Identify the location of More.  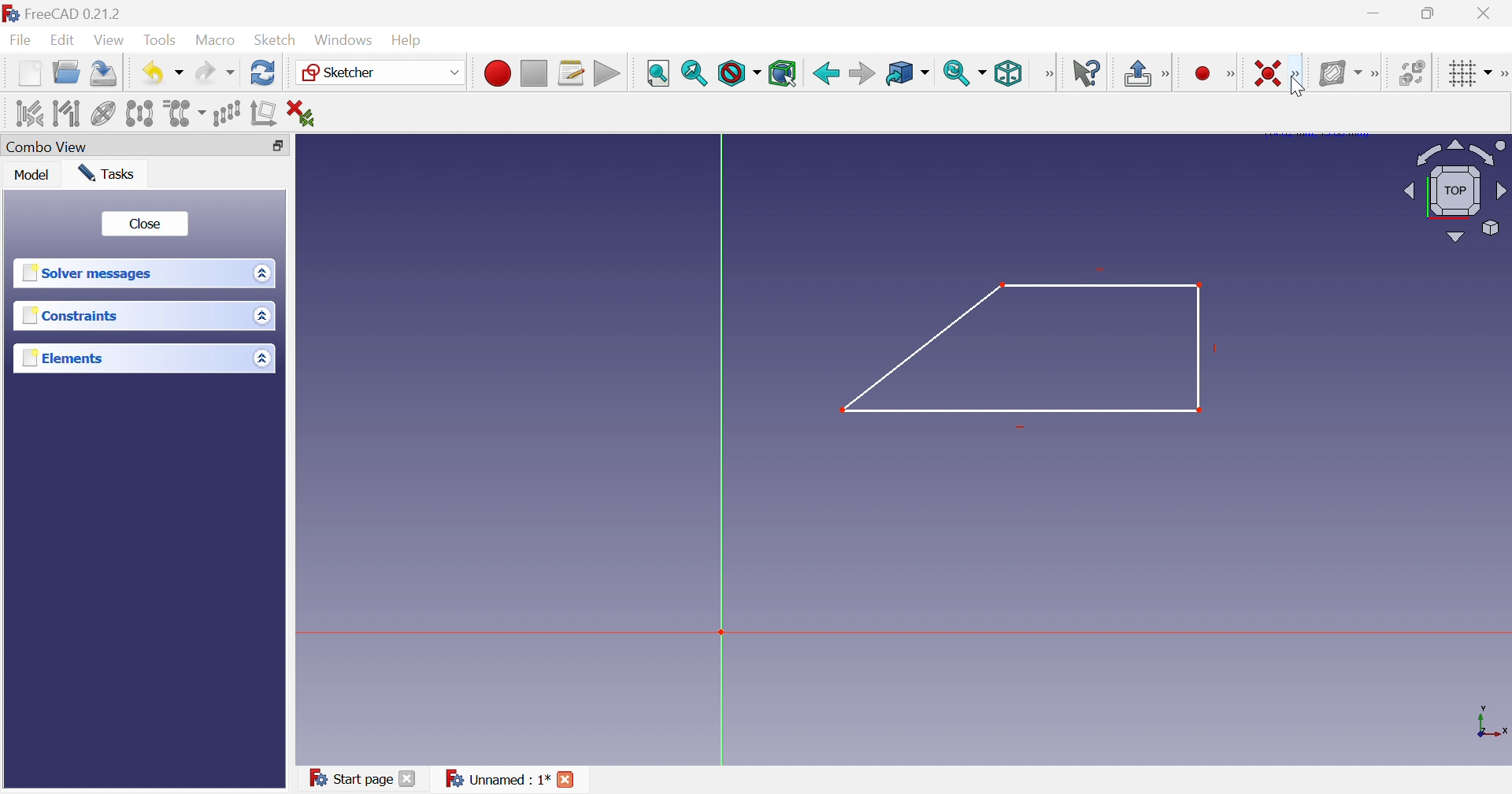
(1503, 72).